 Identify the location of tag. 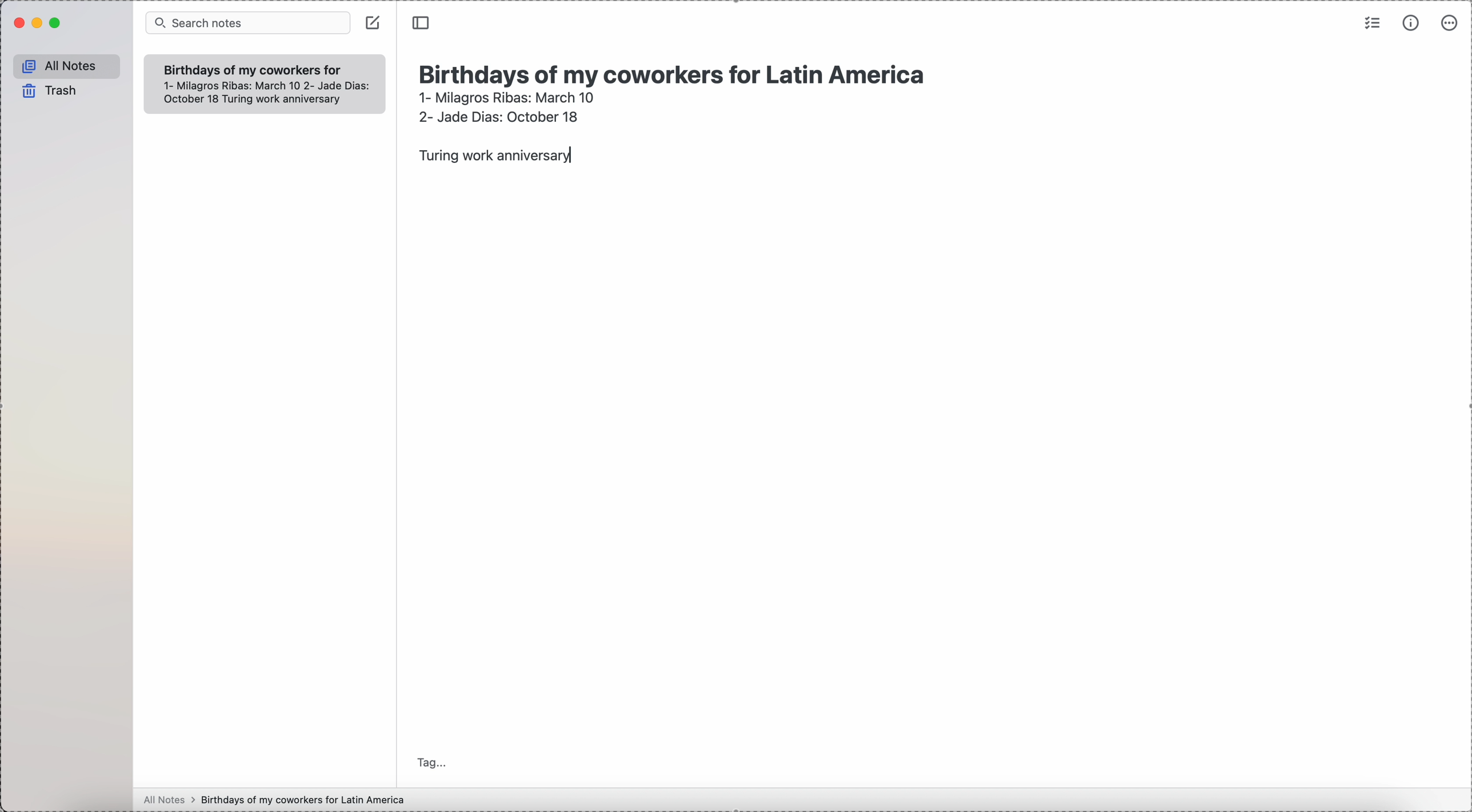
(433, 762).